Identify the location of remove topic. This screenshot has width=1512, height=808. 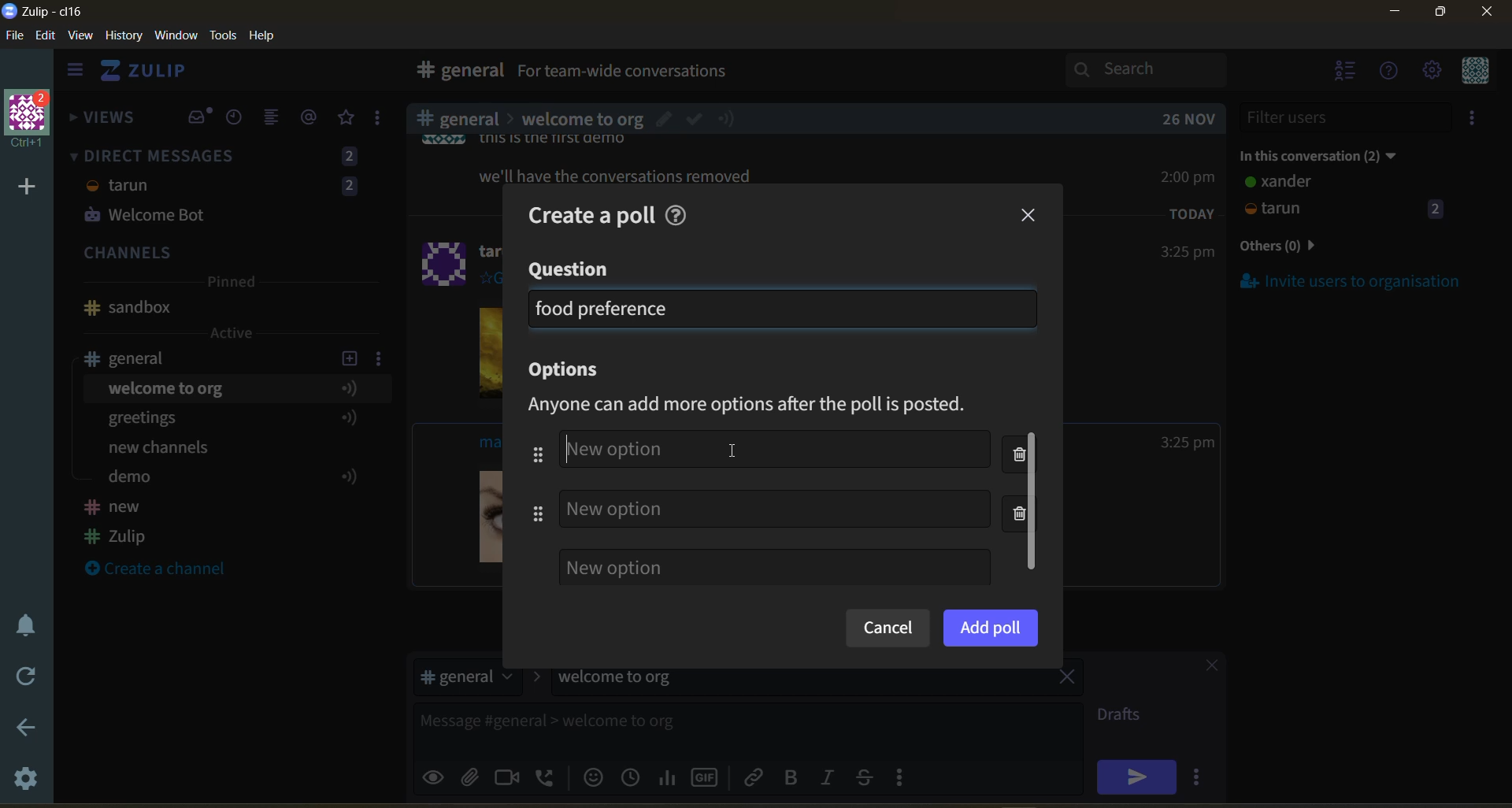
(1067, 679).